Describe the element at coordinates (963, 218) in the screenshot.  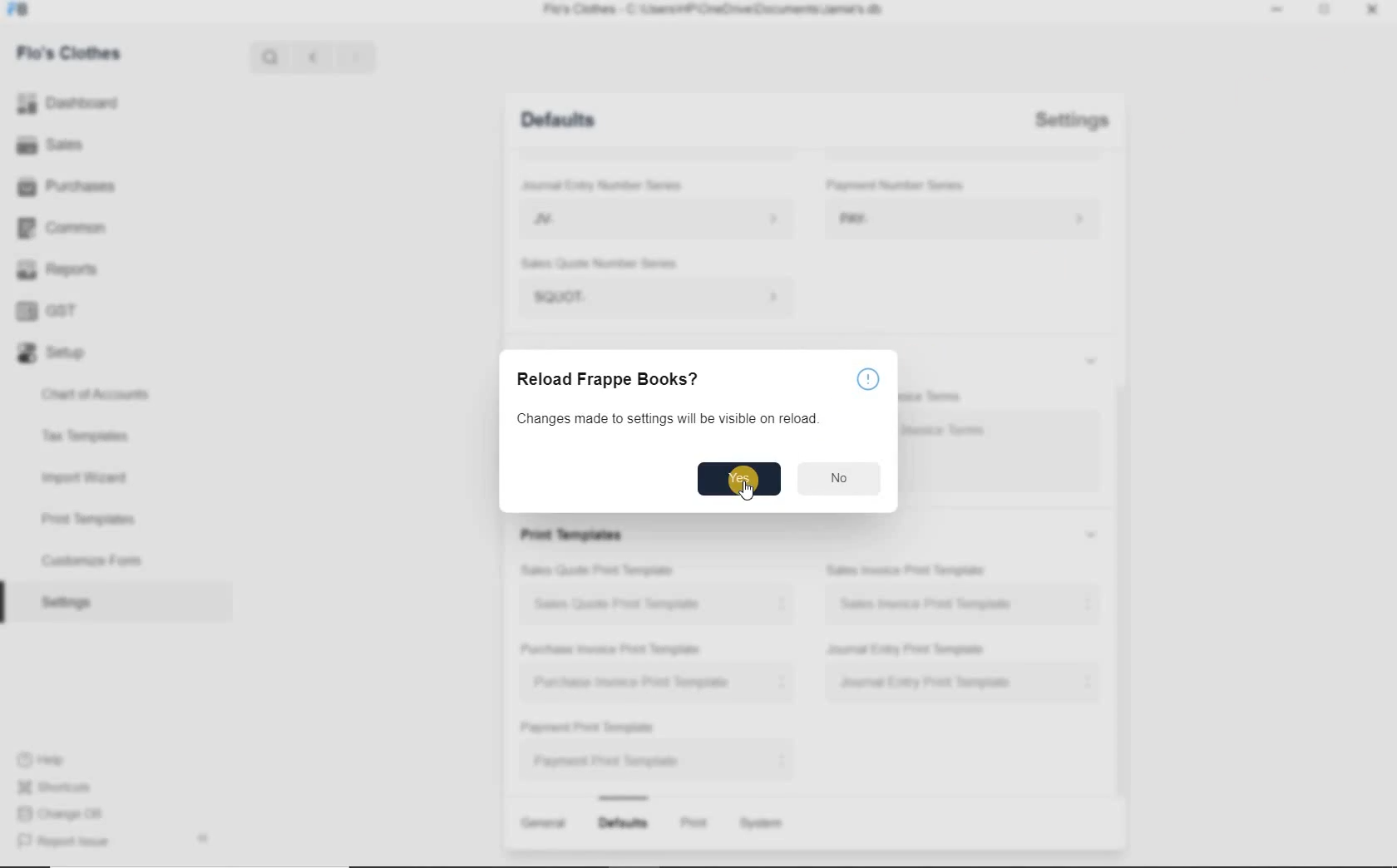
I see `PAY` at that location.